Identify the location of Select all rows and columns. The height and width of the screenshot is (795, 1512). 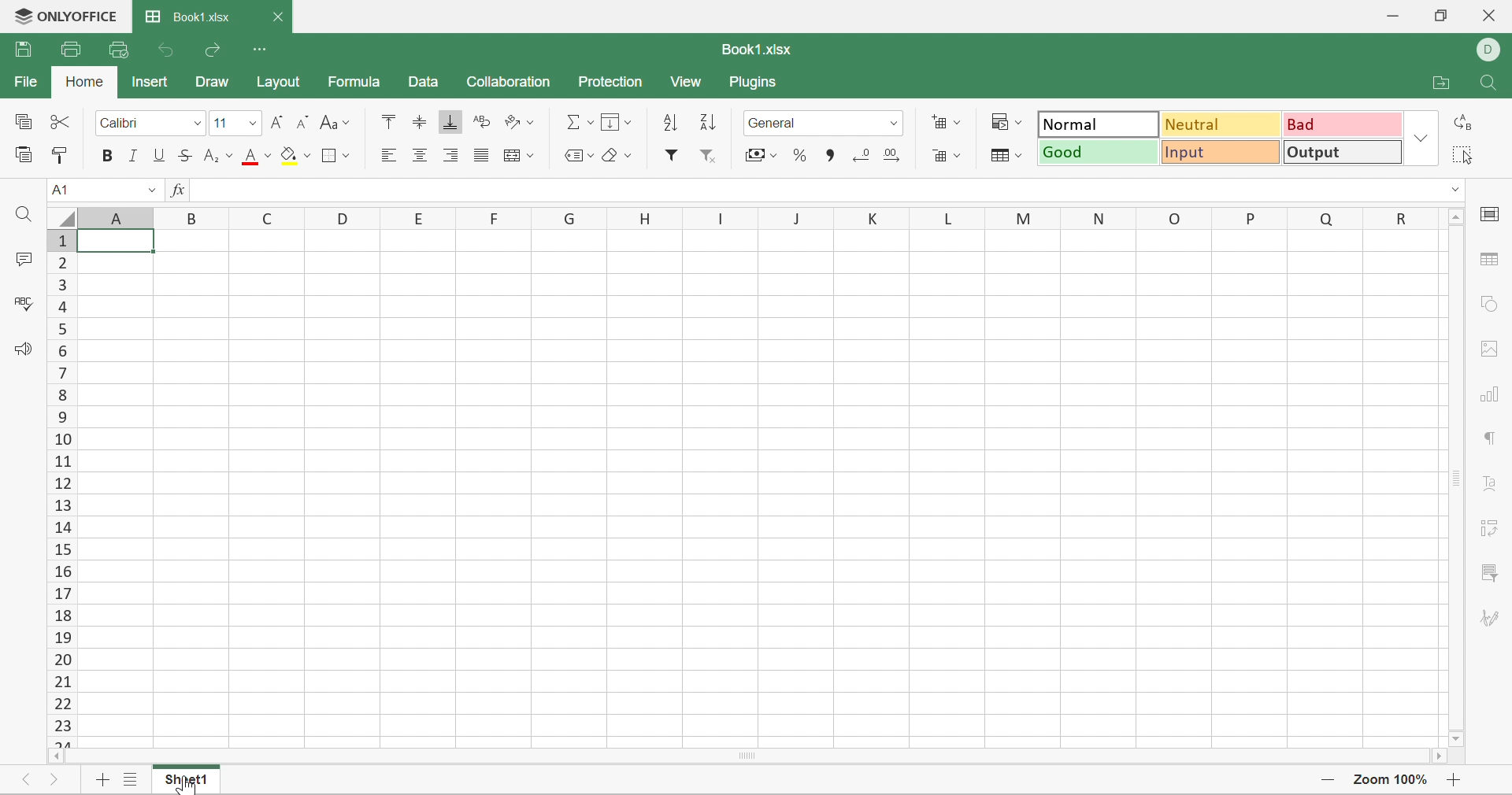
(57, 216).